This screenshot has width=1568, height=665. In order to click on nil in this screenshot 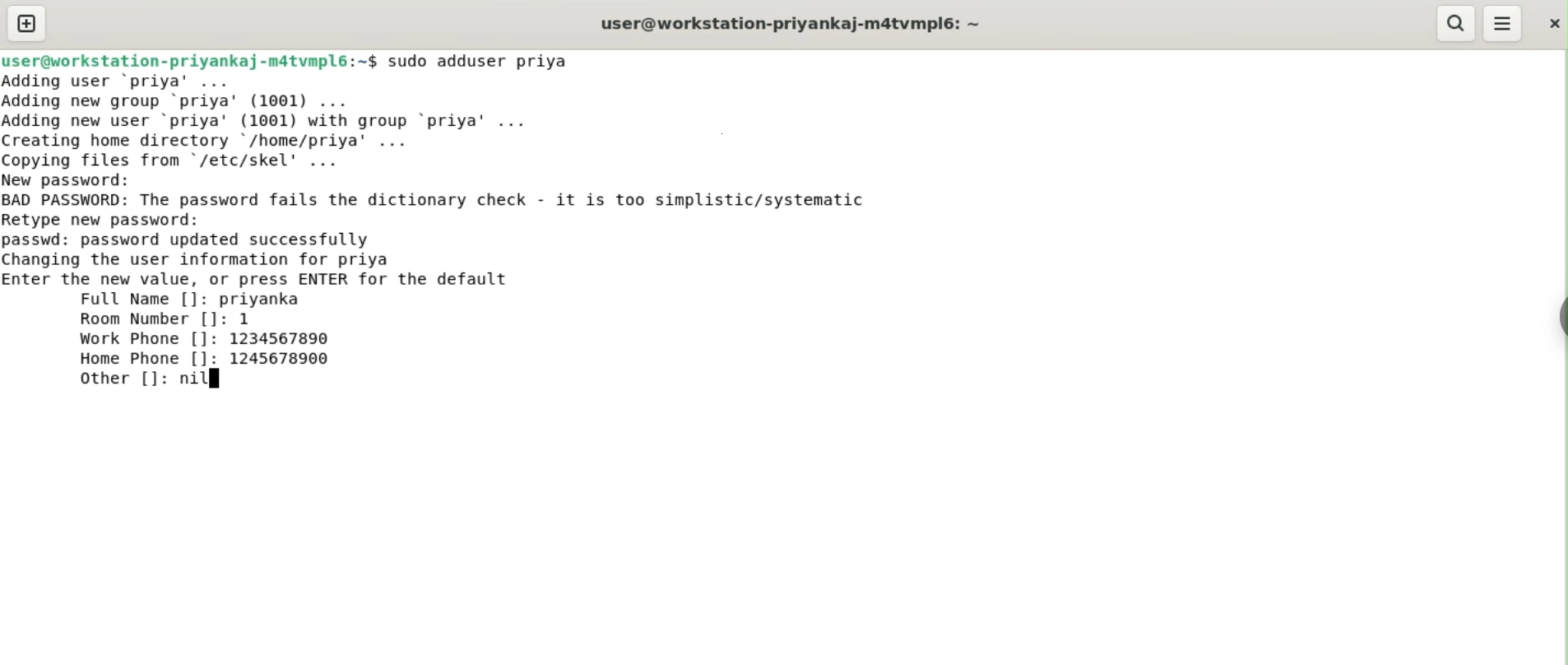, I will do `click(203, 382)`.